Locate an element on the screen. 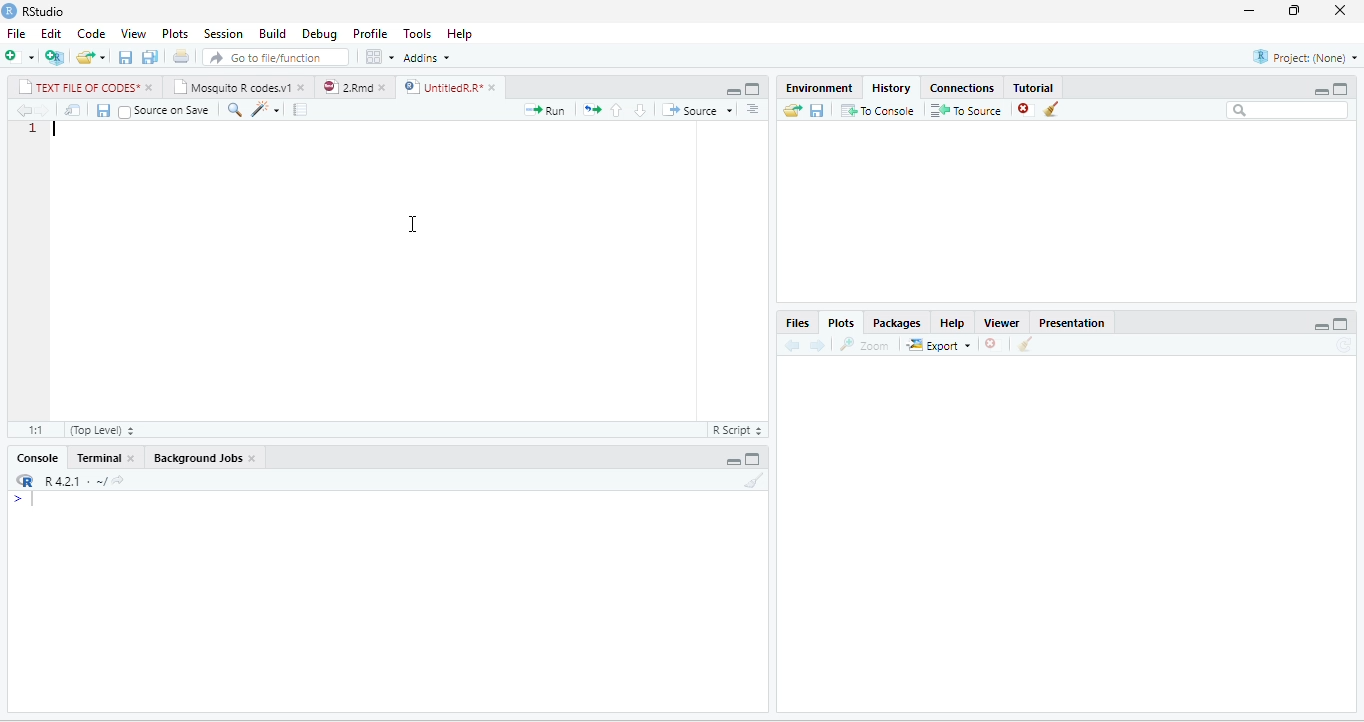  maximize is located at coordinates (753, 89).